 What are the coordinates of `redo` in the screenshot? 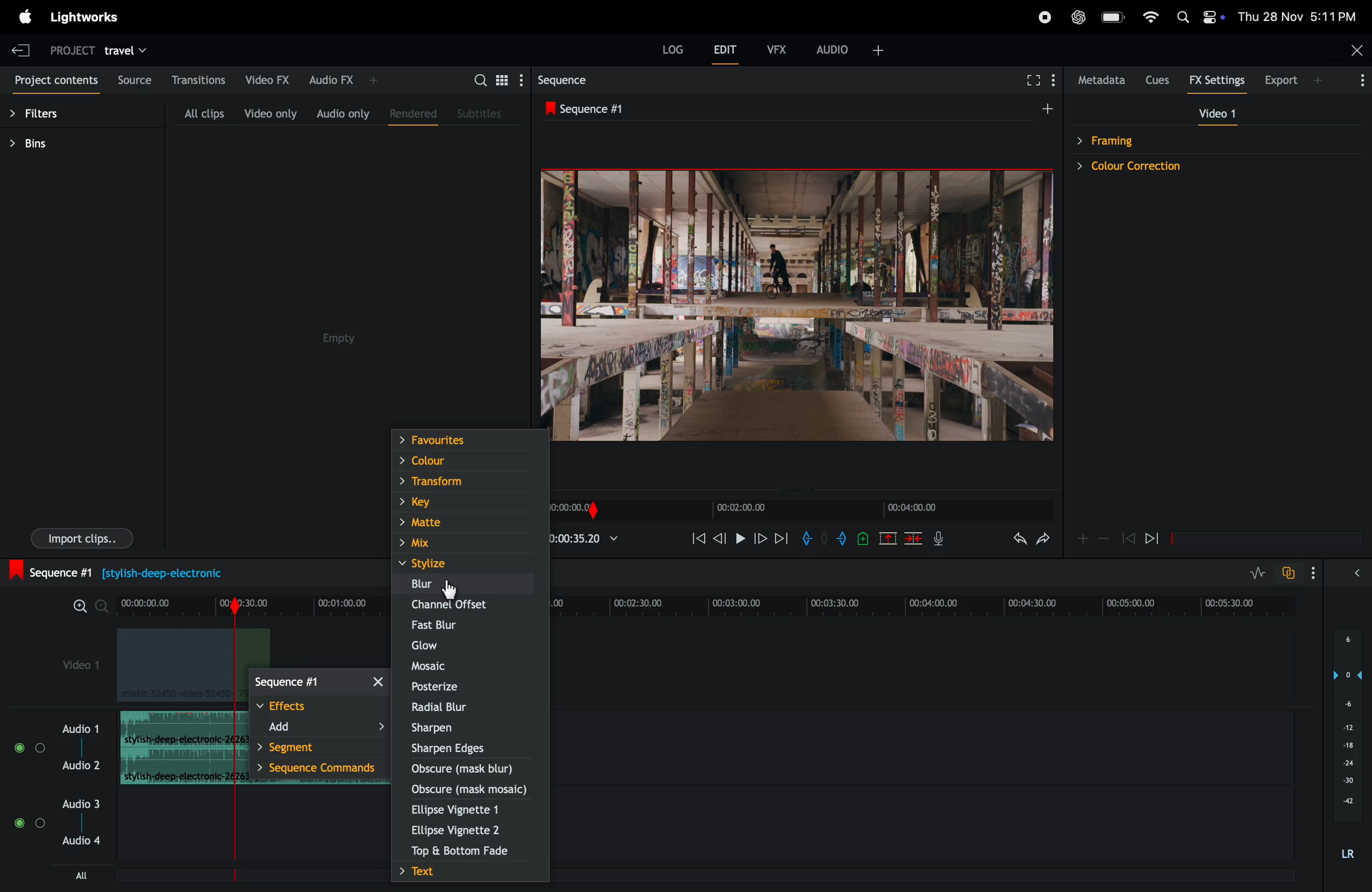 It's located at (1044, 542).